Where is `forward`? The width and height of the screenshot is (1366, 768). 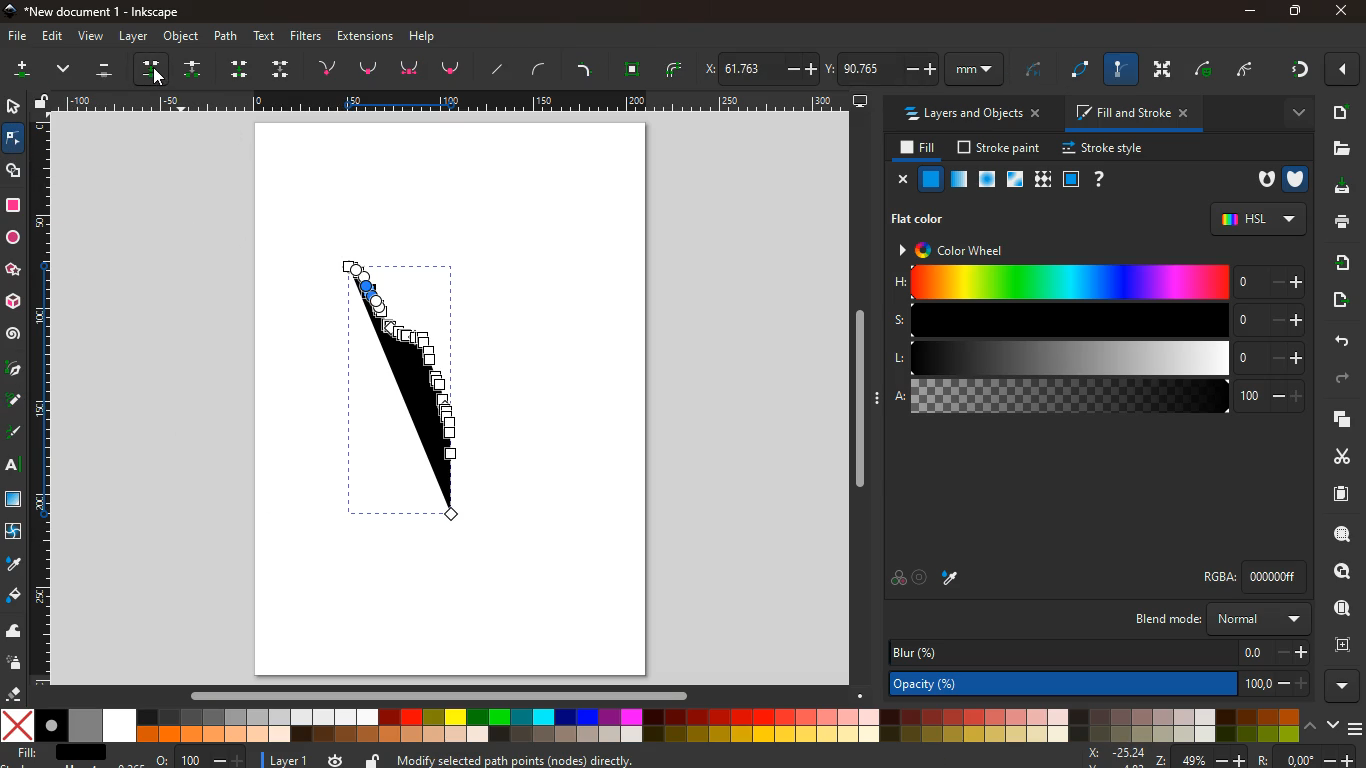 forward is located at coordinates (1343, 381).